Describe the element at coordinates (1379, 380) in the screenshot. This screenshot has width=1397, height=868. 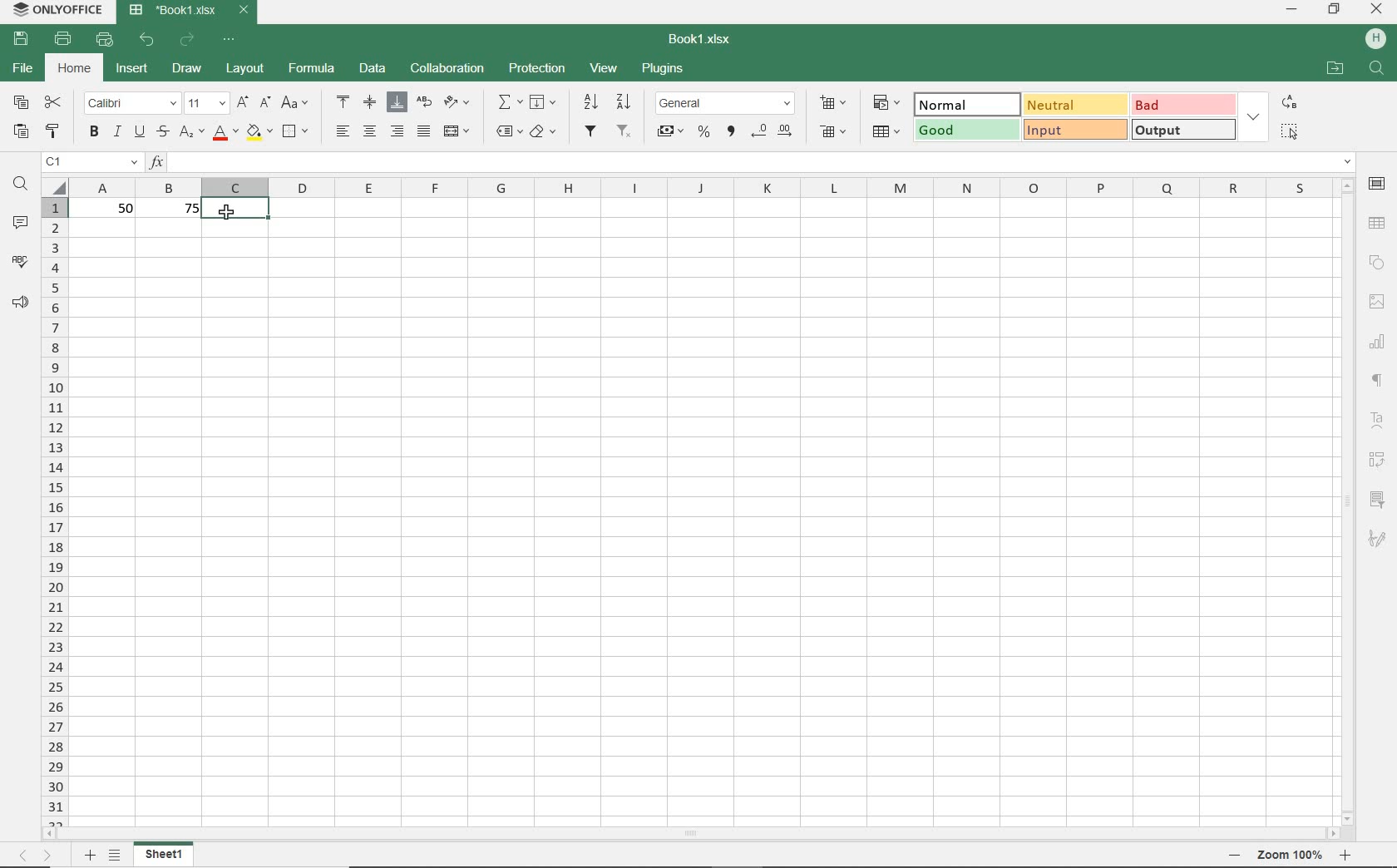
I see `paragraph settings` at that location.